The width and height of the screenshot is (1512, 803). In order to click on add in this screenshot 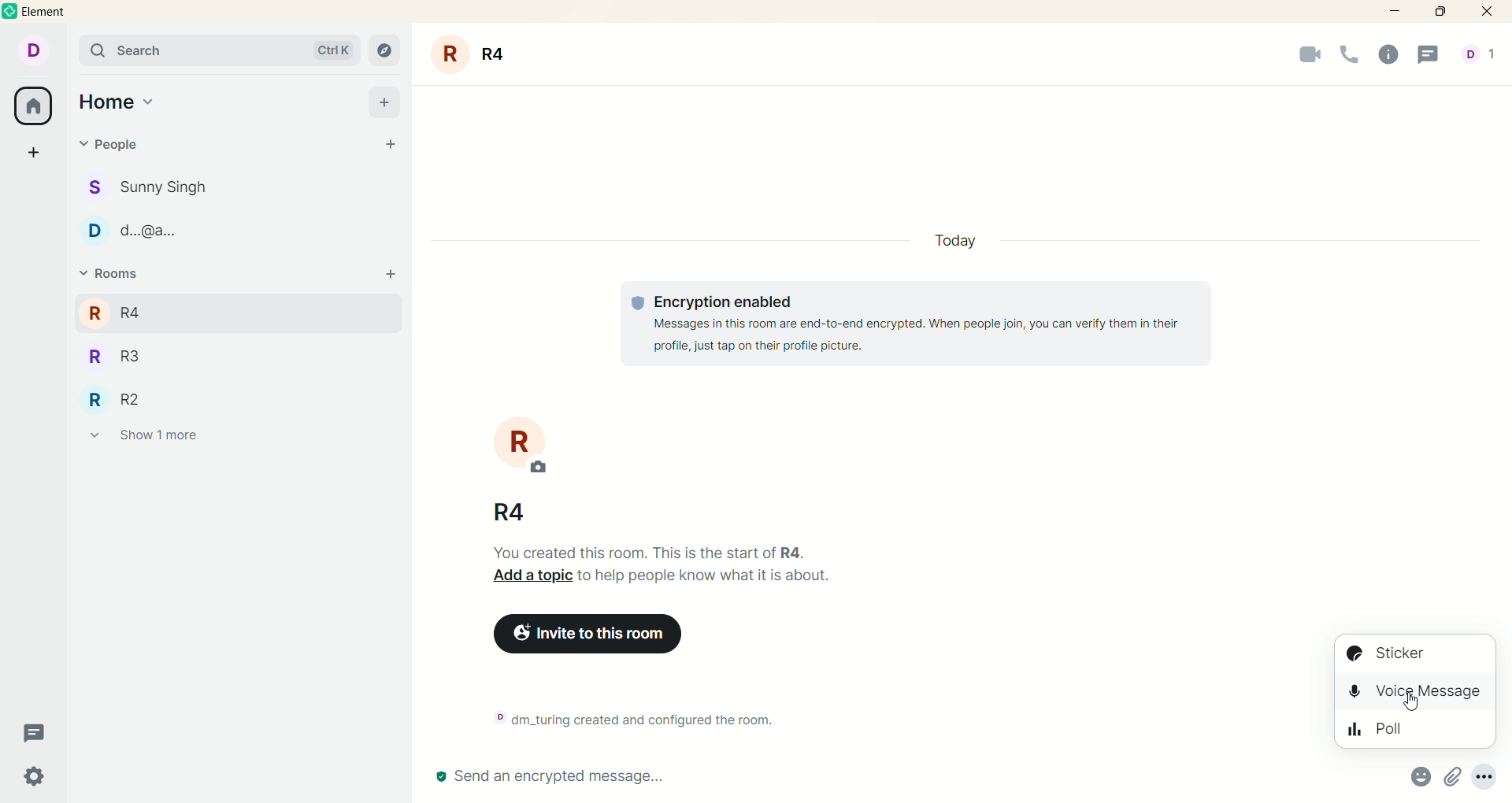, I will do `click(396, 279)`.